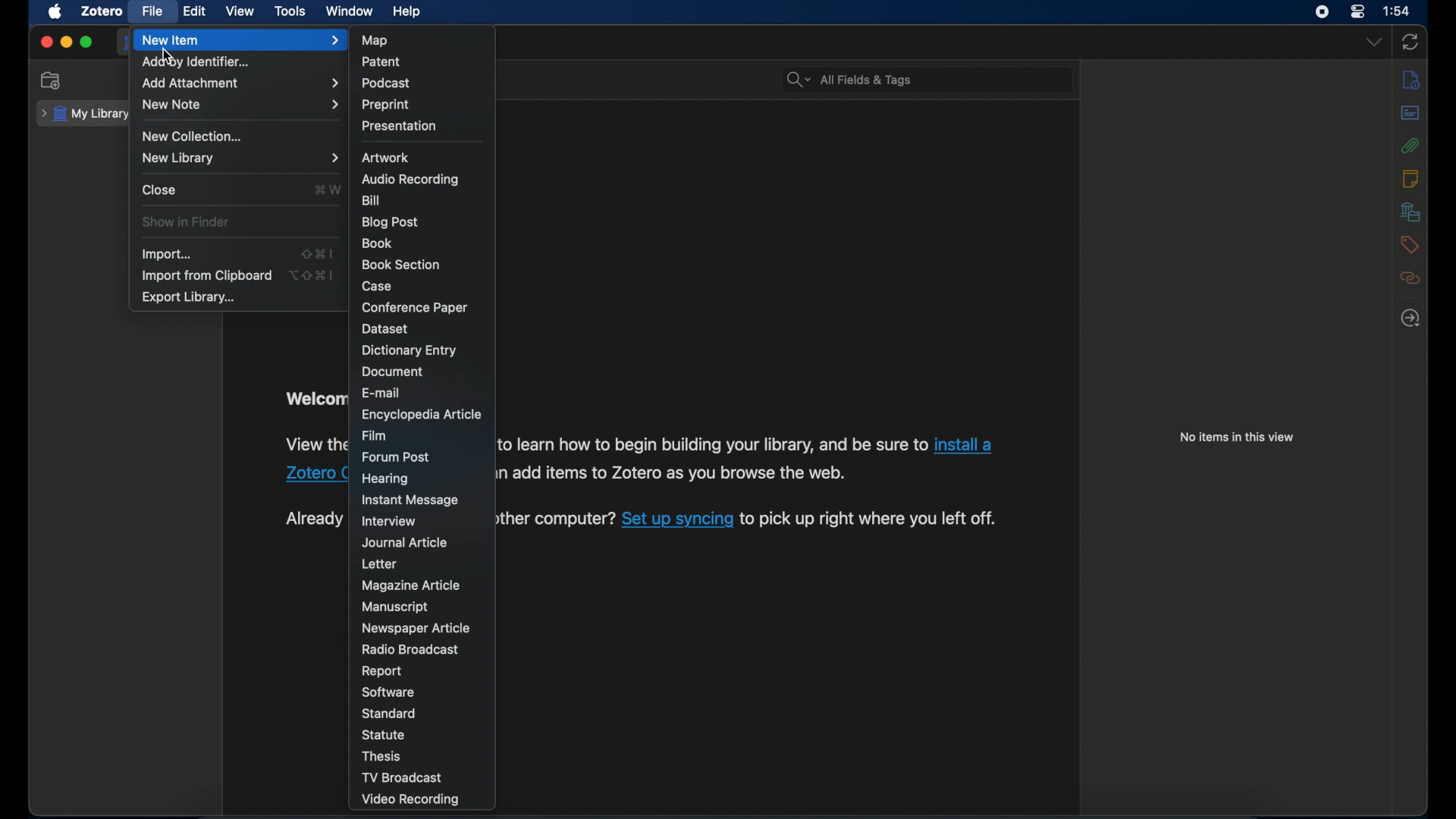 The width and height of the screenshot is (1456, 819). I want to click on standard, so click(390, 713).